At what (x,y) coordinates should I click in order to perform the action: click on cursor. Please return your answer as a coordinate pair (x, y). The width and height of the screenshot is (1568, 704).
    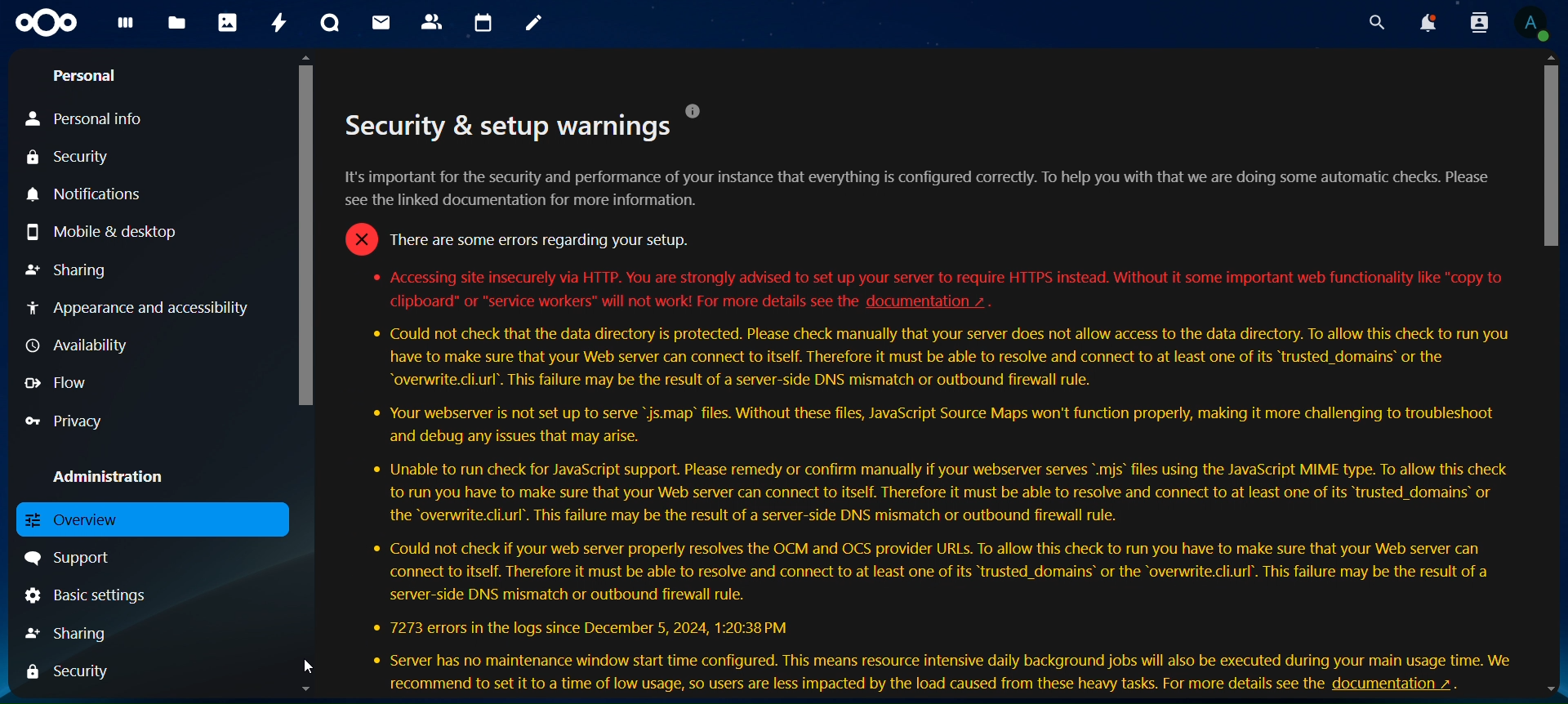
    Looking at the image, I should click on (307, 666).